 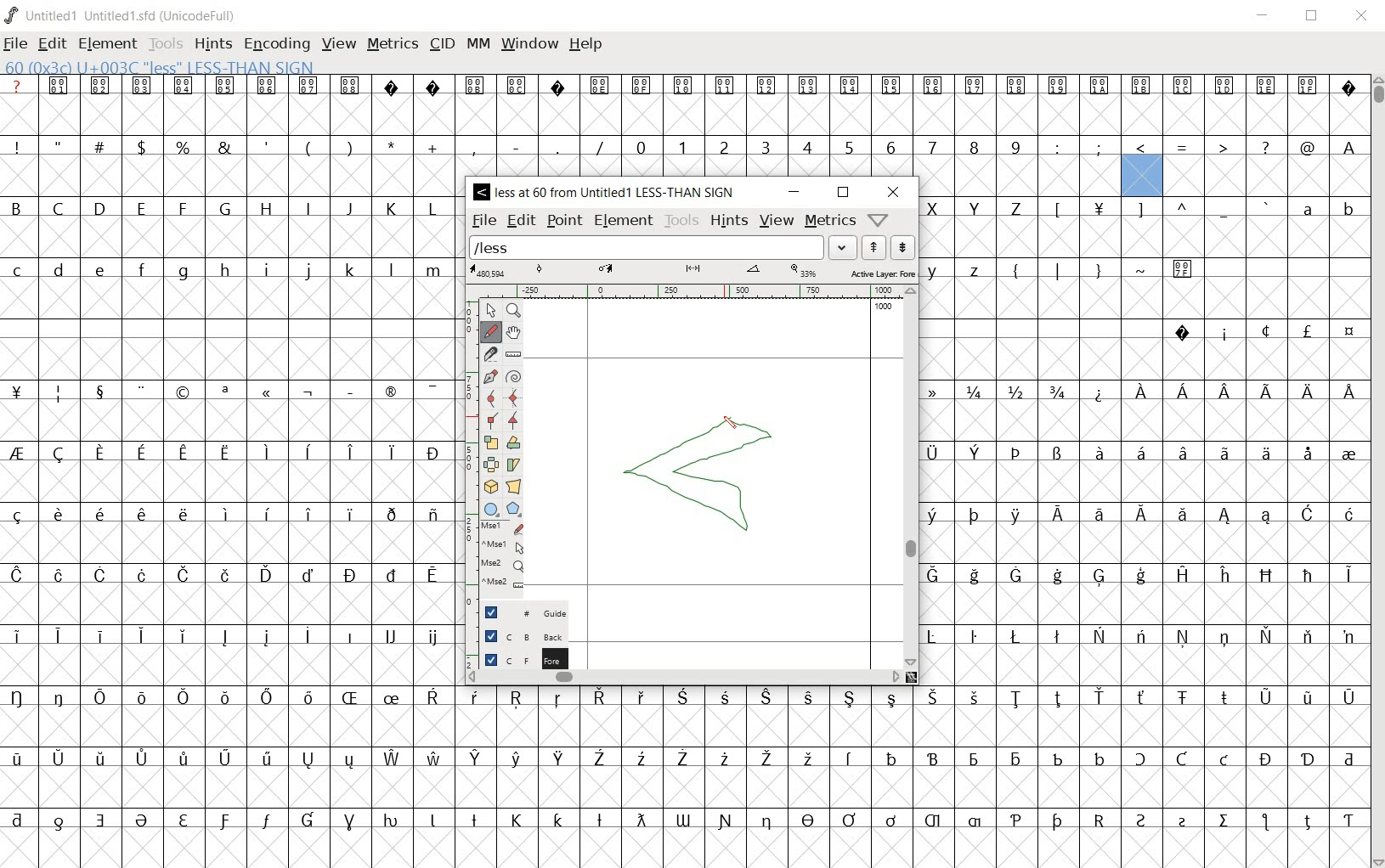 I want to click on minimize, so click(x=794, y=193).